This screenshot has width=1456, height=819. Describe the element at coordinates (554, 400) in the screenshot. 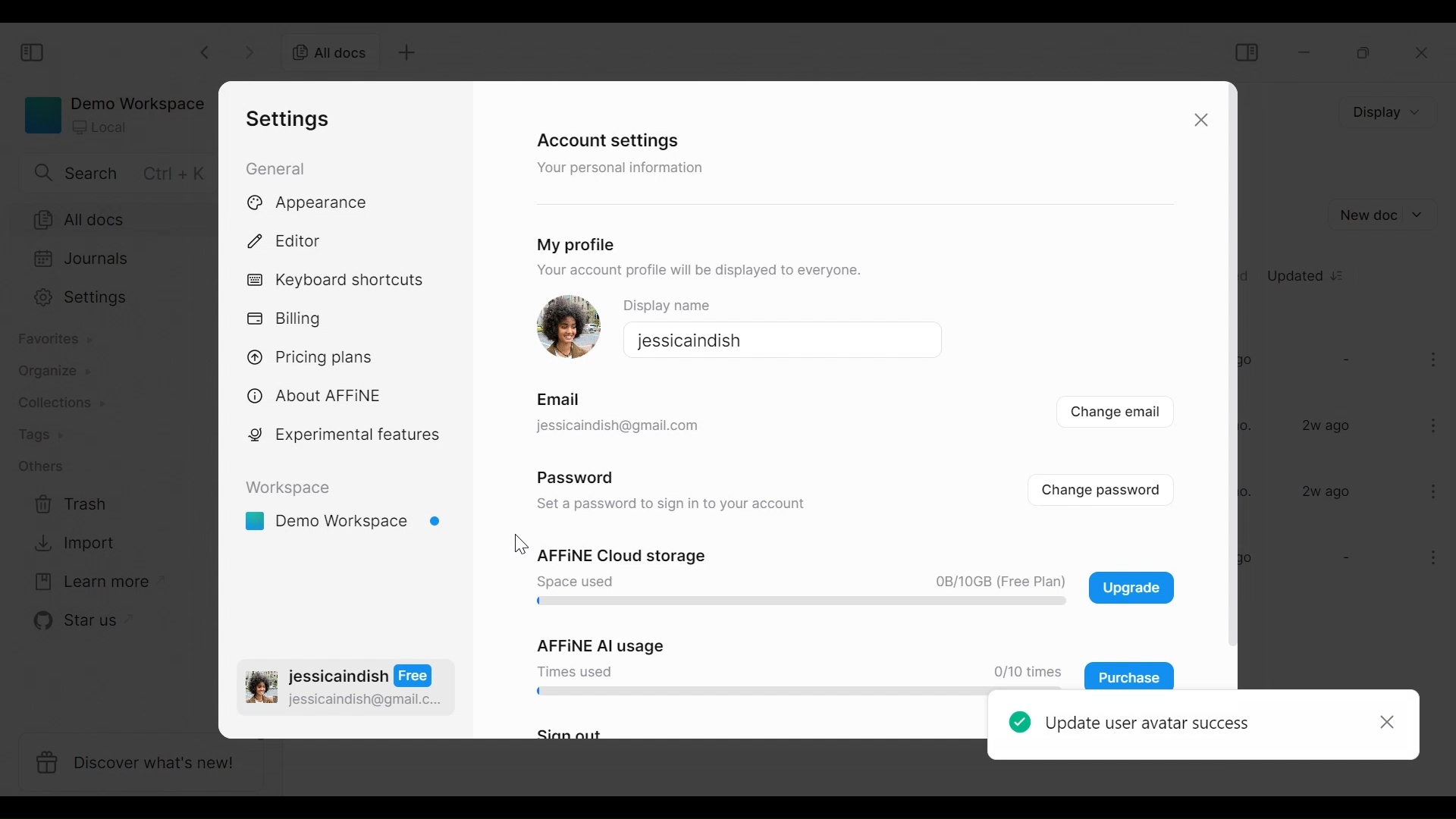

I see `` at that location.